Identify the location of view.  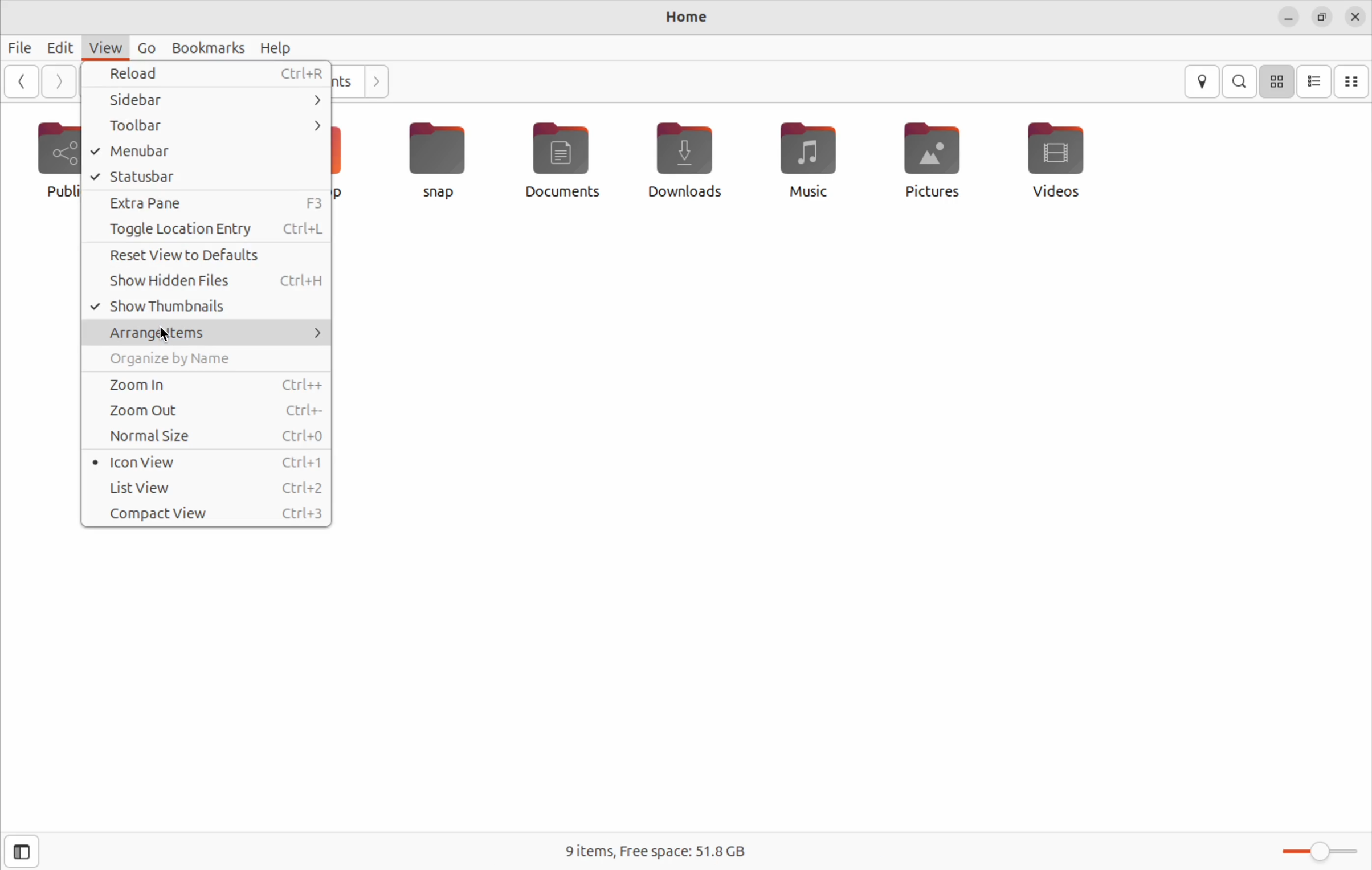
(103, 46).